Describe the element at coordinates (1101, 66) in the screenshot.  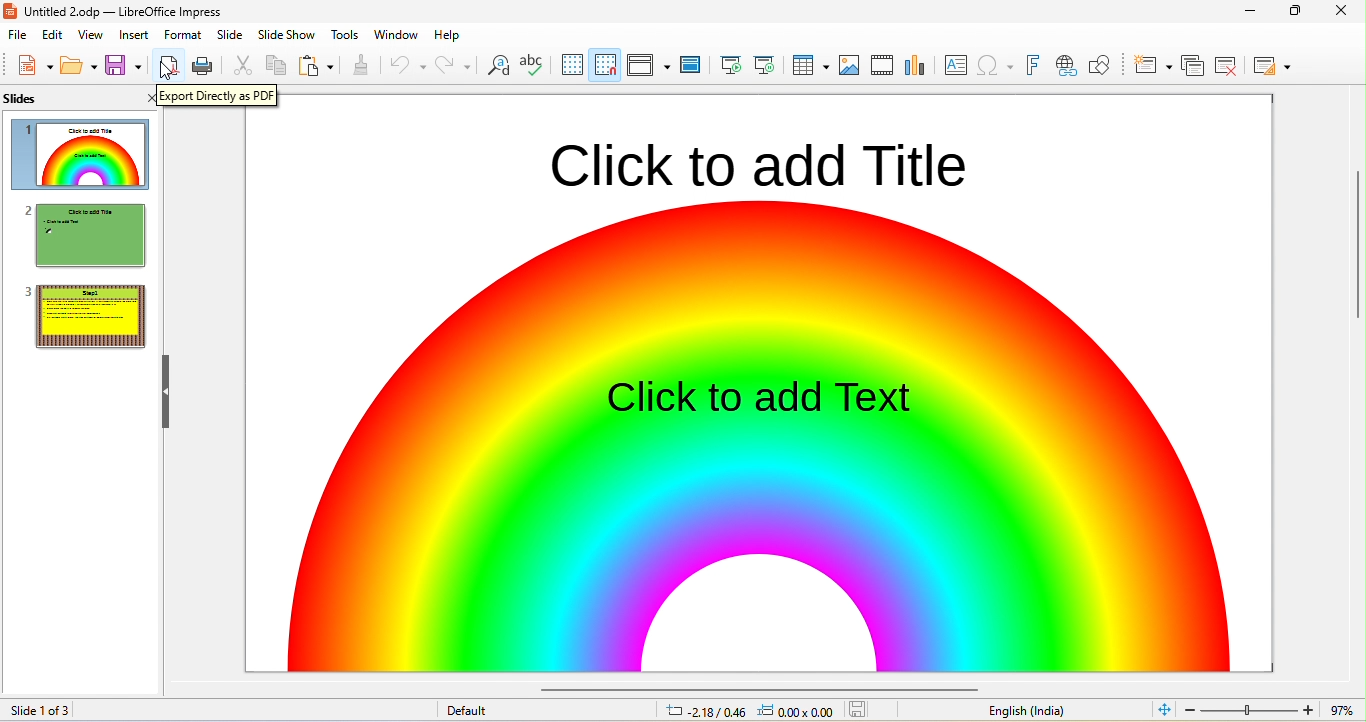
I see `show draw functions` at that location.